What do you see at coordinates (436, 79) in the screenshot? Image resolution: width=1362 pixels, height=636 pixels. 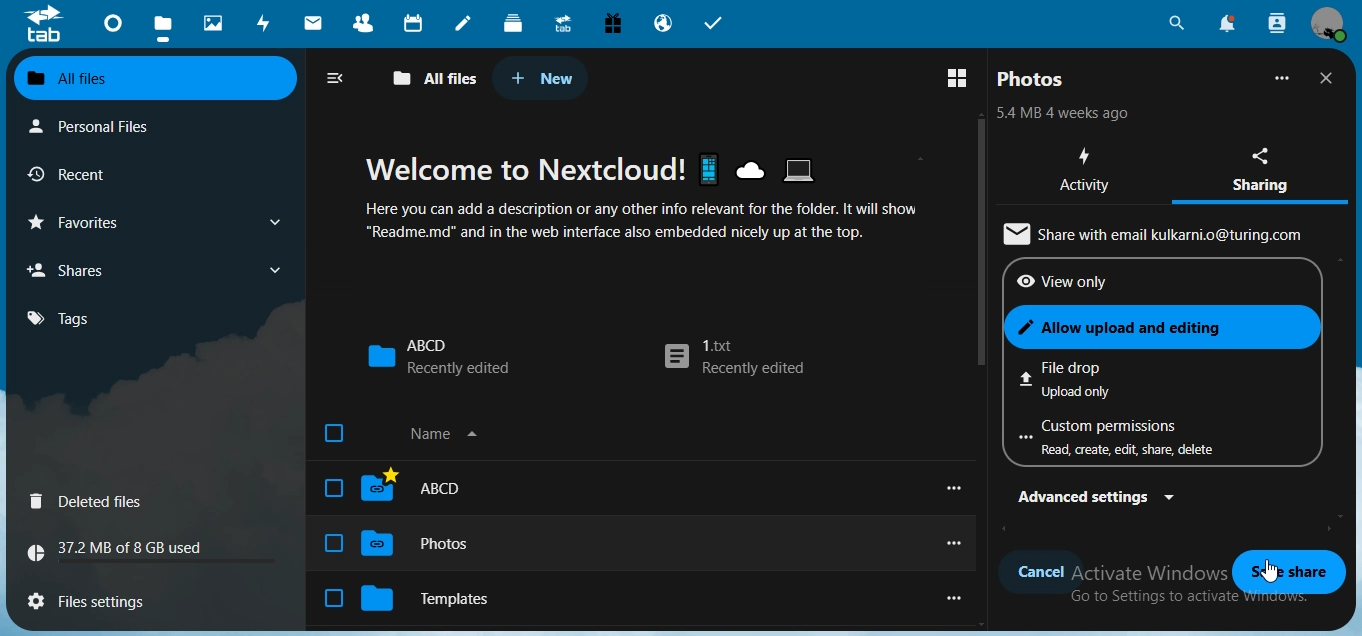 I see `all files` at bounding box center [436, 79].